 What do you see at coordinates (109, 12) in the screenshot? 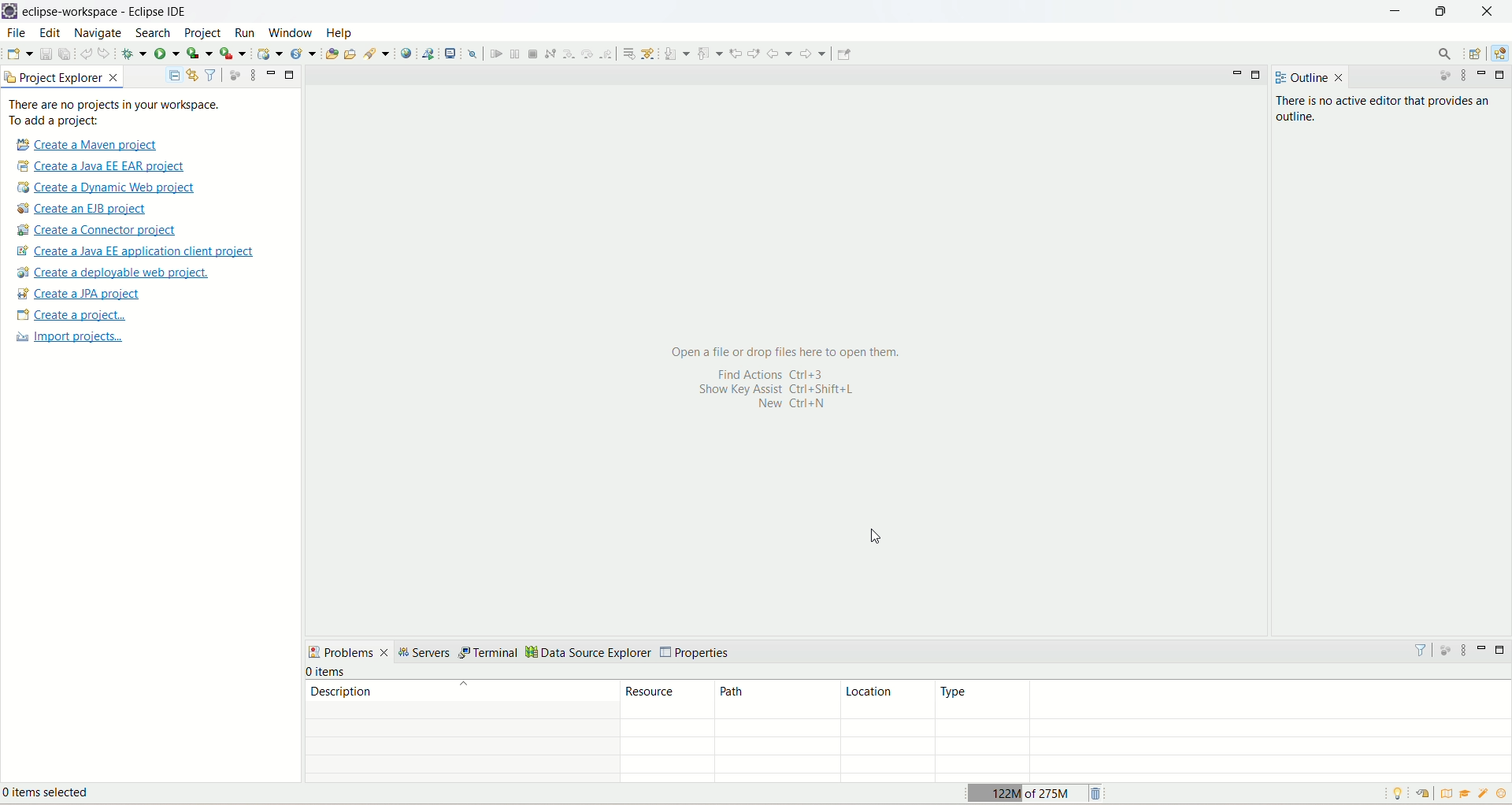
I see `eclipse workspace-Eclipse IDE` at bounding box center [109, 12].